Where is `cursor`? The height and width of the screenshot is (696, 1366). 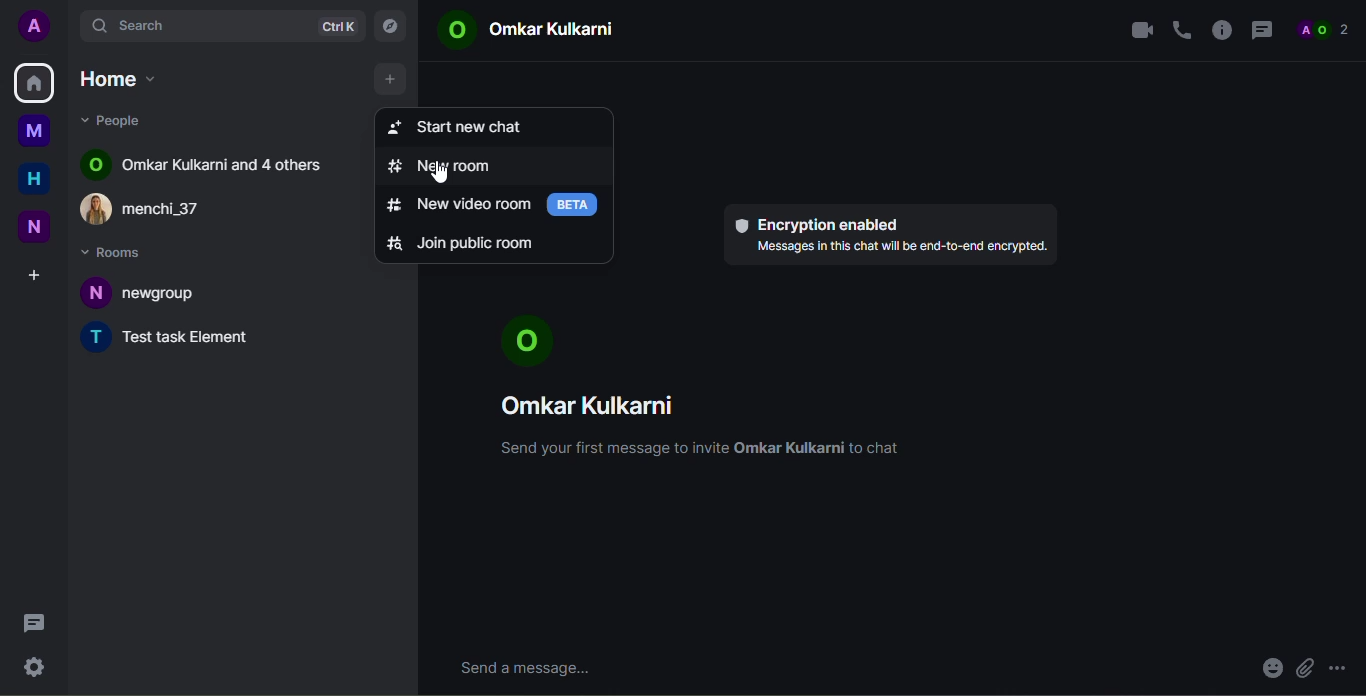 cursor is located at coordinates (444, 173).